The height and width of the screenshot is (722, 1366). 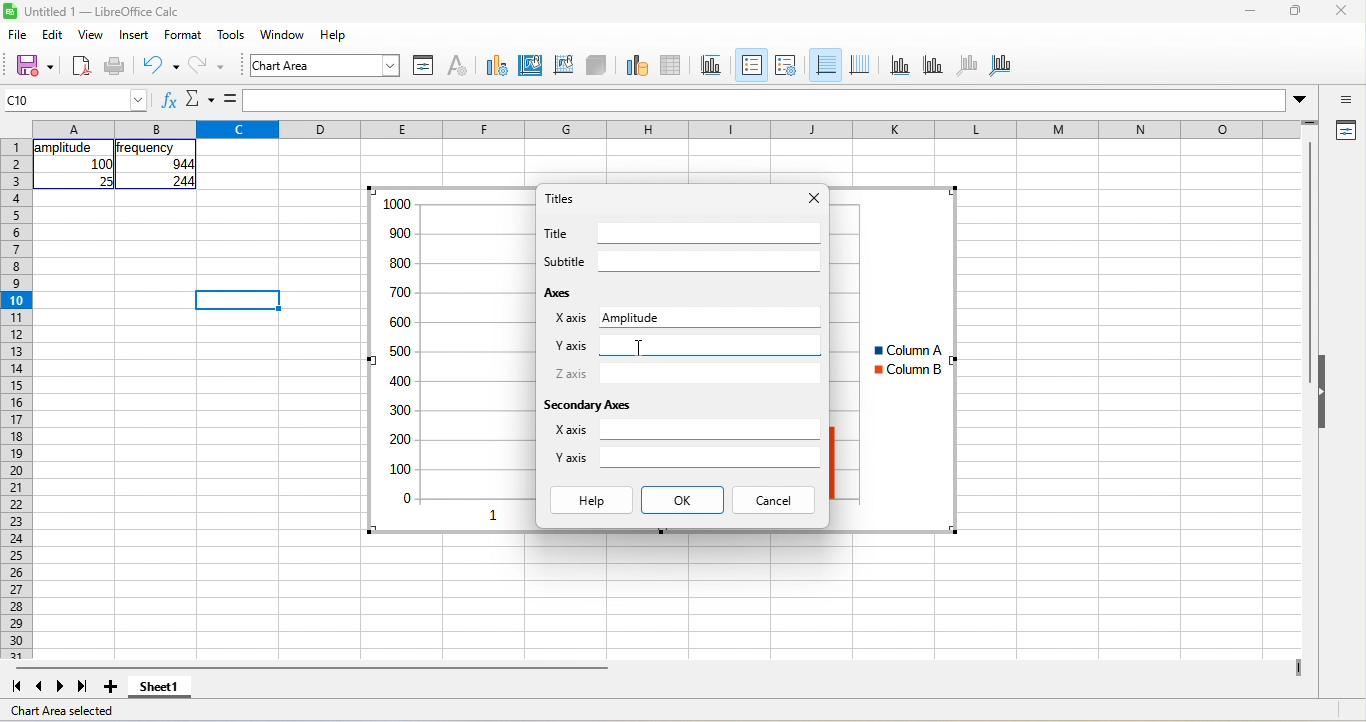 I want to click on horizontal scroll bar, so click(x=312, y=668).